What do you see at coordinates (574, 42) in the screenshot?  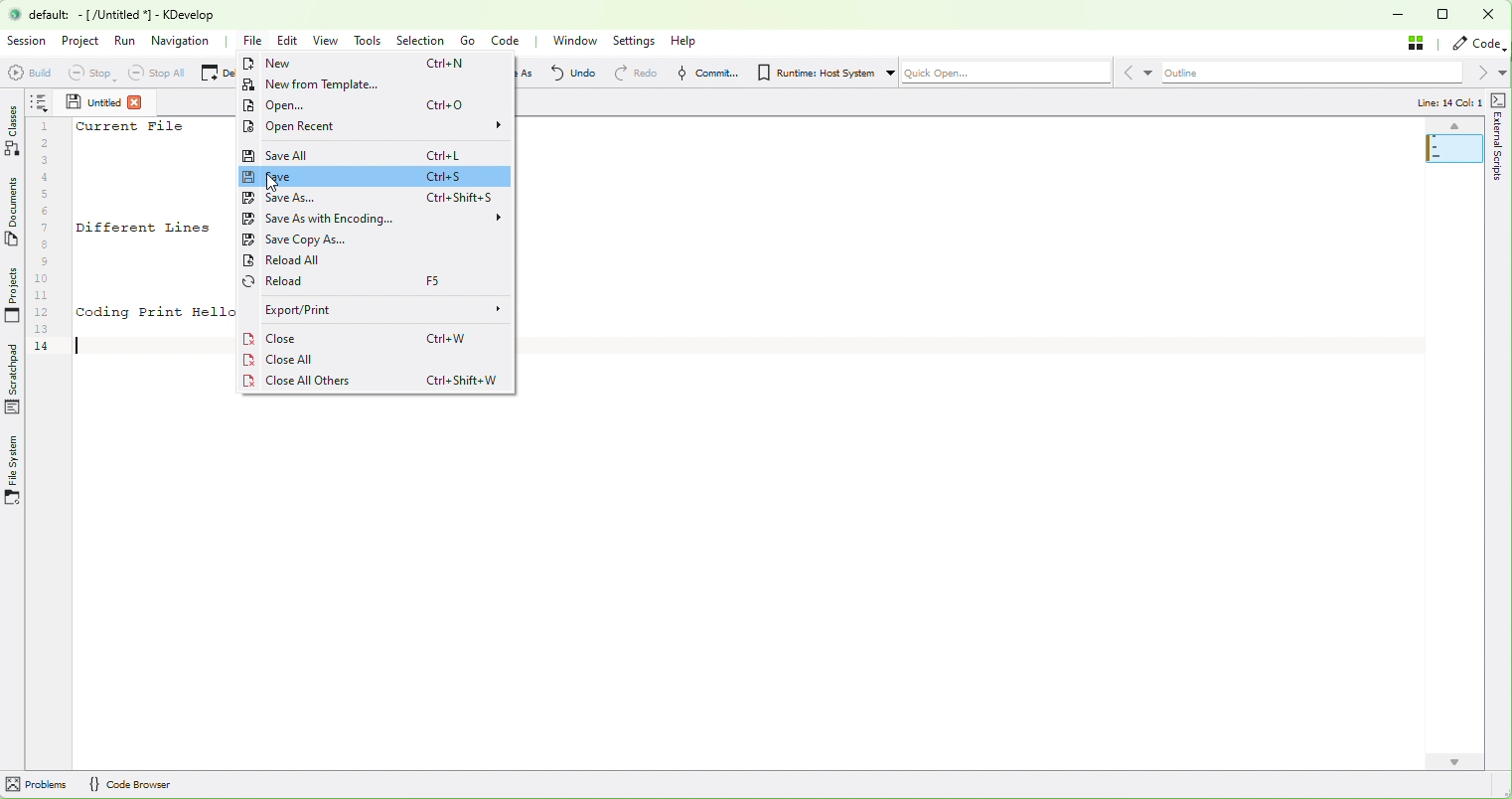 I see `Window` at bounding box center [574, 42].